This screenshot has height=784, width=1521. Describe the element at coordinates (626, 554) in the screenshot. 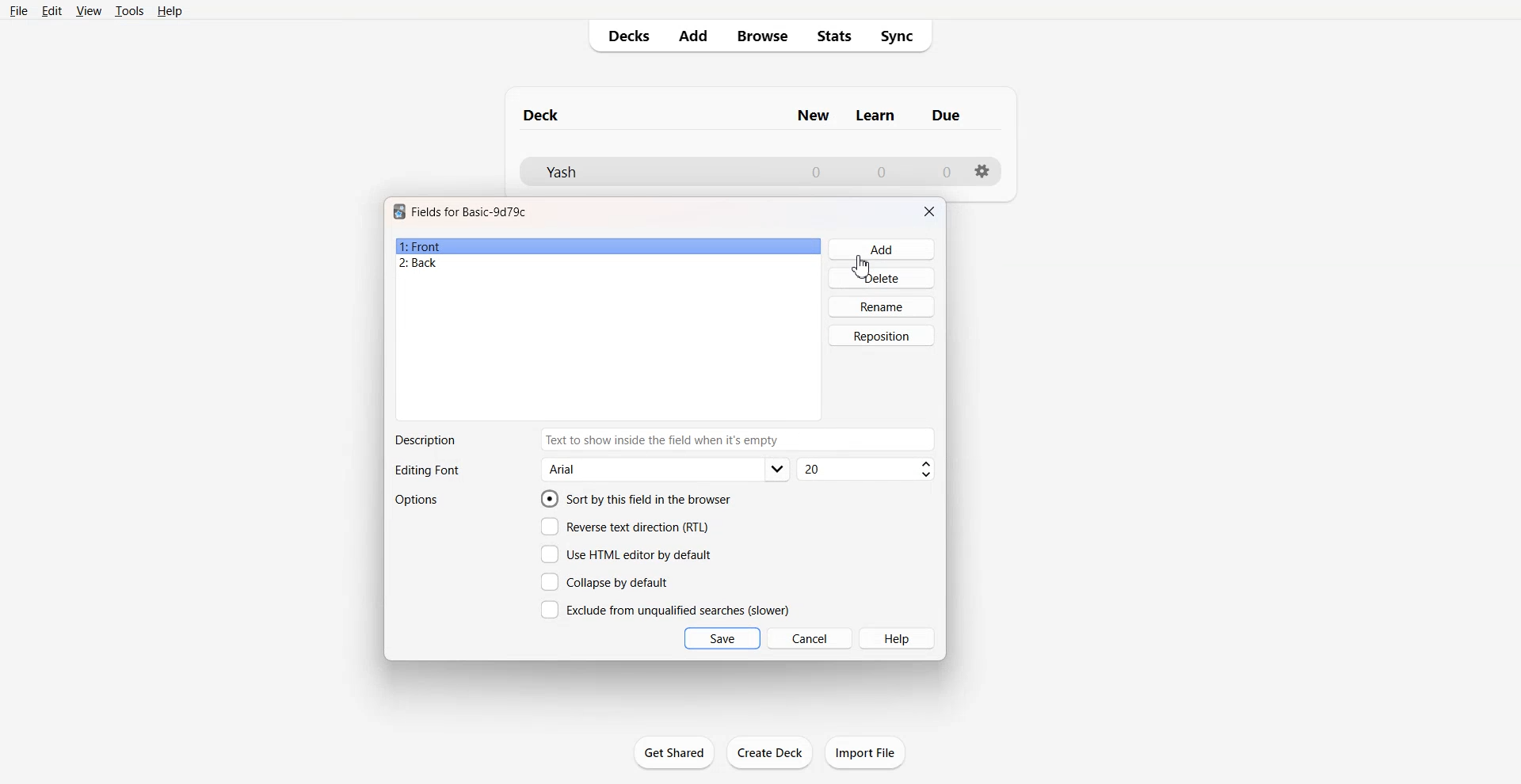

I see `Use HTML editor by default` at that location.